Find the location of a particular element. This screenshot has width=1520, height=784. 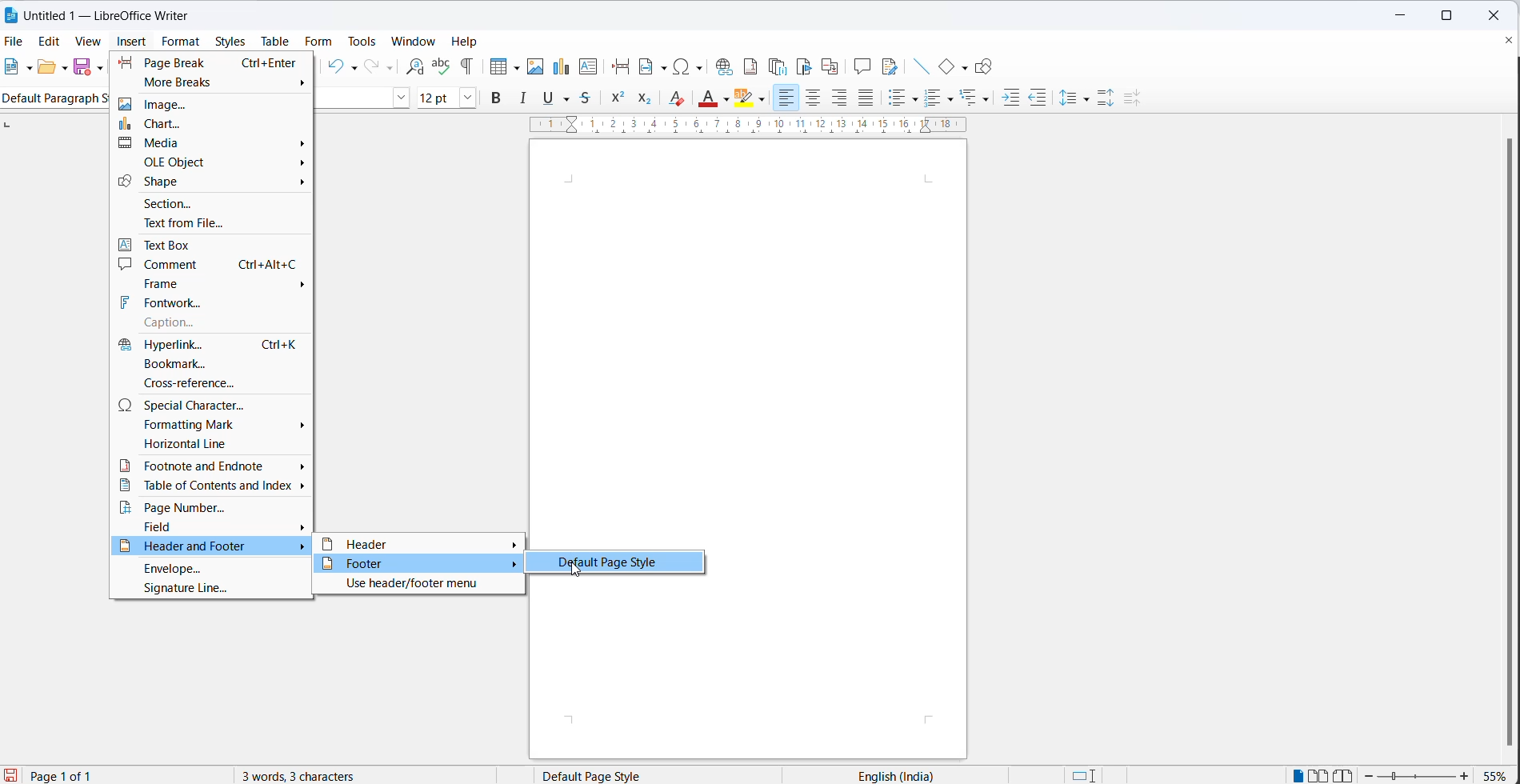

superscript is located at coordinates (619, 98).